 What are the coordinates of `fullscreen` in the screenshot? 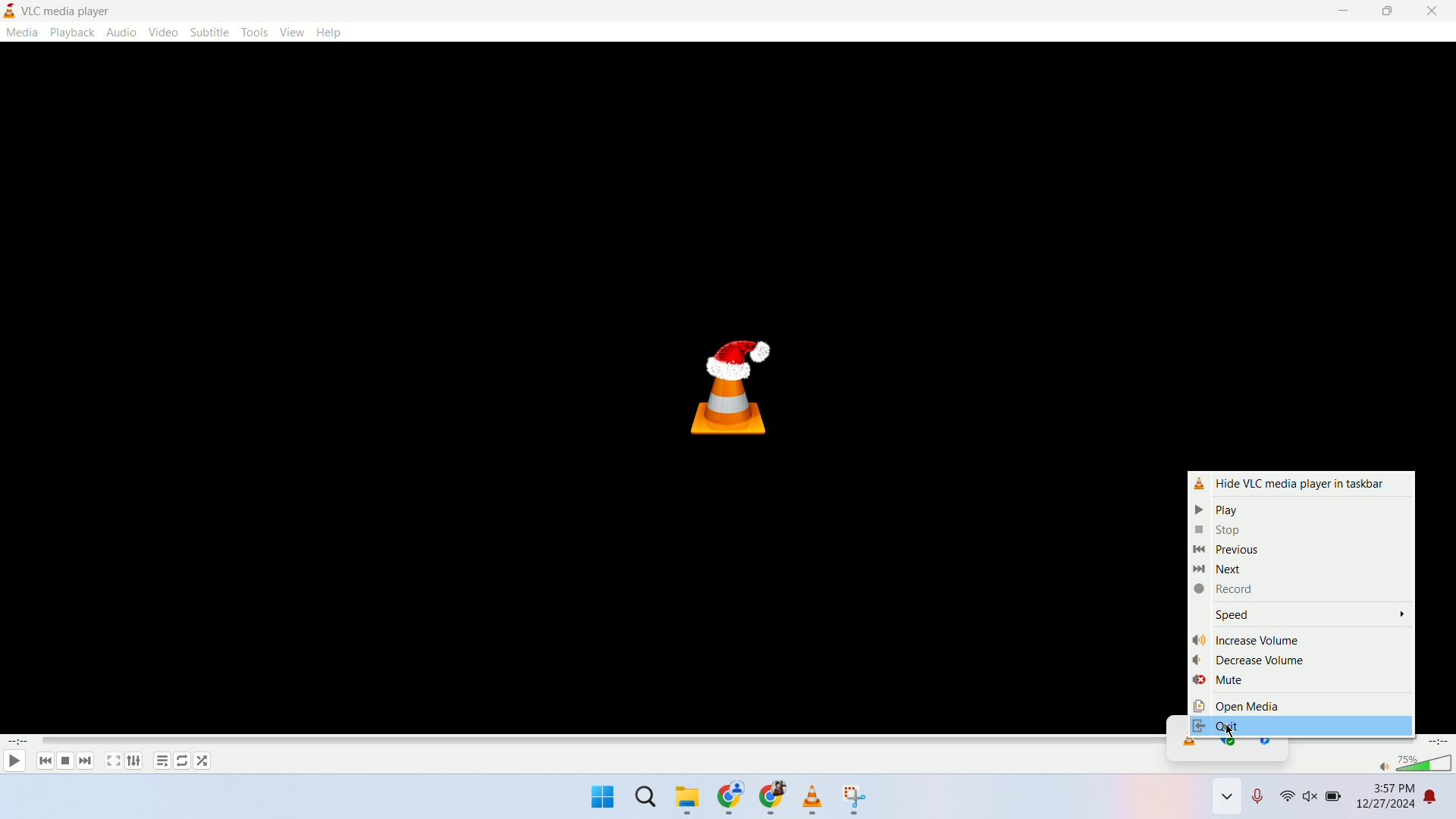 It's located at (112, 761).